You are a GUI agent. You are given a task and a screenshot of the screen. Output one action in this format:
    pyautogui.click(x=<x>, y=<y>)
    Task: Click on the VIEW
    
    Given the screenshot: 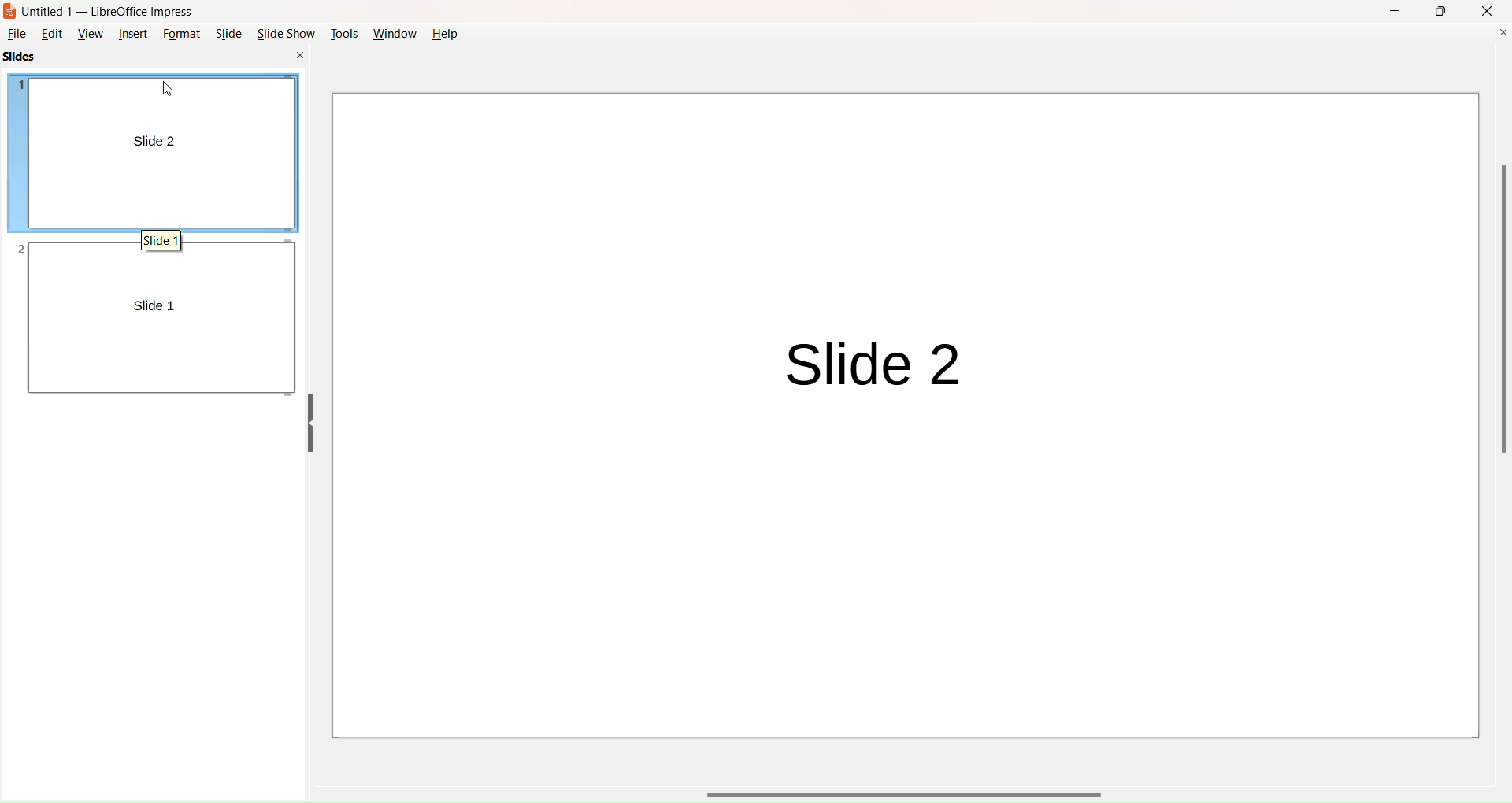 What is the action you would take?
    pyautogui.click(x=91, y=34)
    